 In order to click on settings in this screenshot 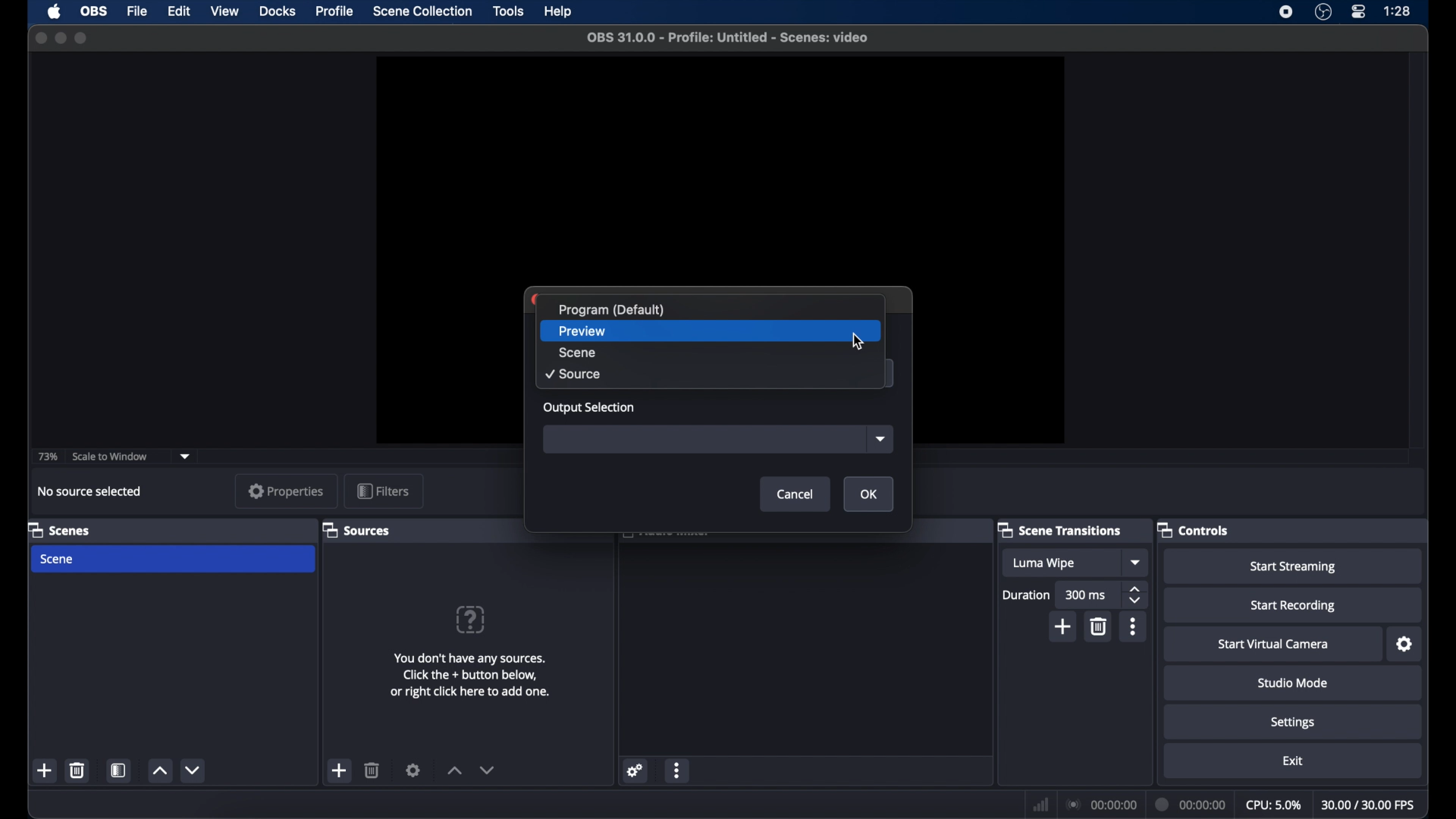, I will do `click(413, 770)`.